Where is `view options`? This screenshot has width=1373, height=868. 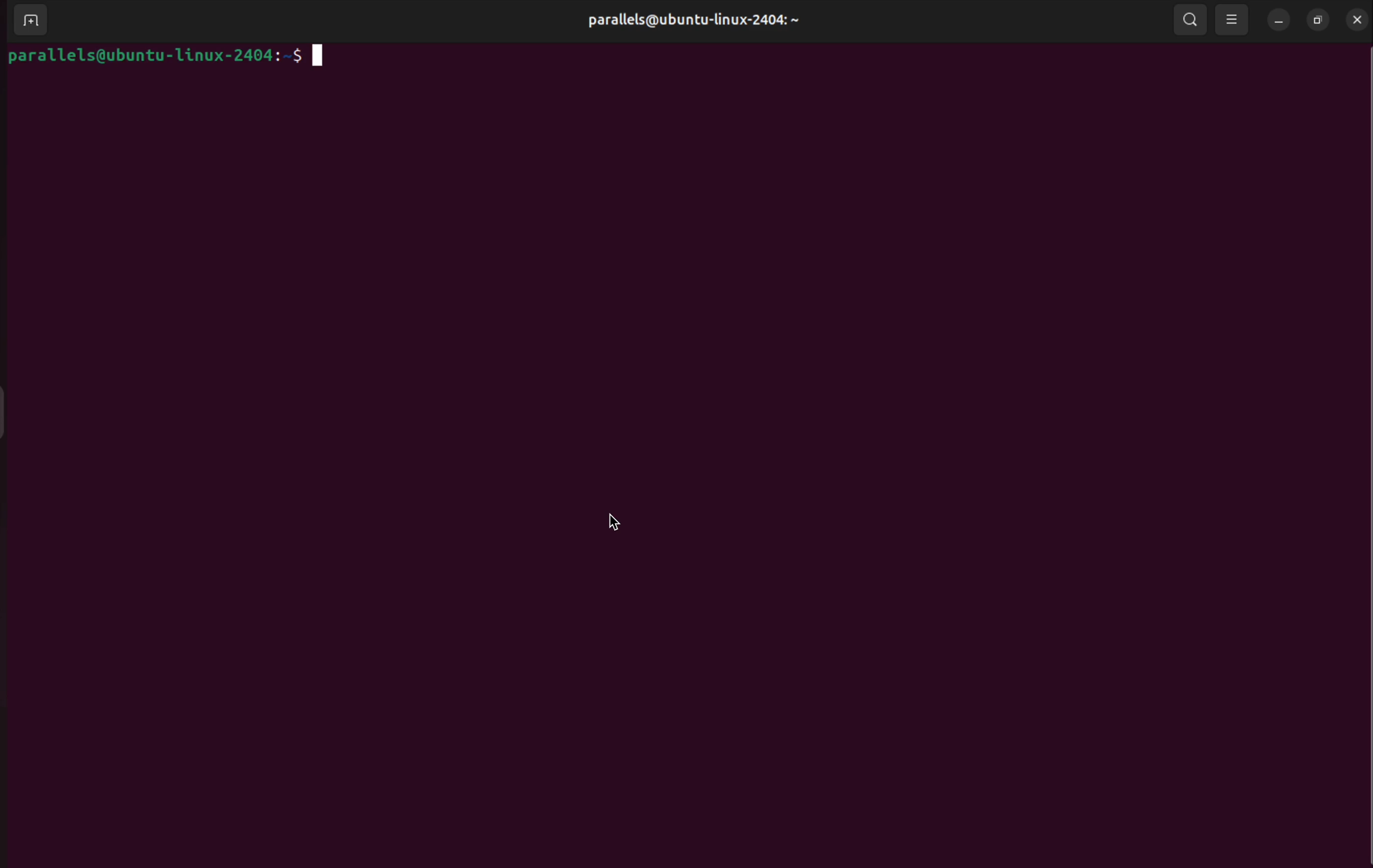
view options is located at coordinates (1233, 20).